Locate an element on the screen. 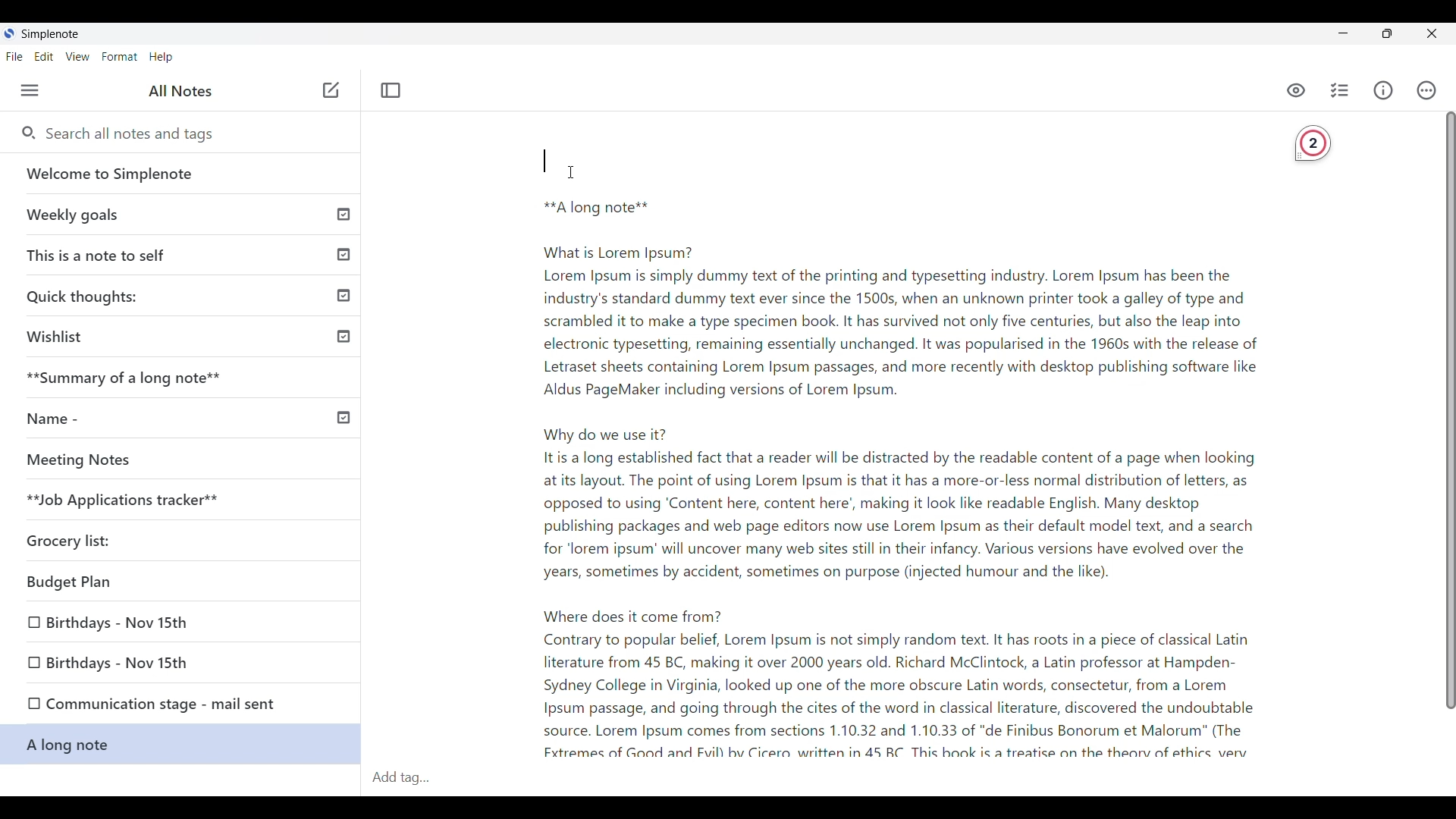 The height and width of the screenshot is (819, 1456). Quick thoughts: is located at coordinates (187, 295).